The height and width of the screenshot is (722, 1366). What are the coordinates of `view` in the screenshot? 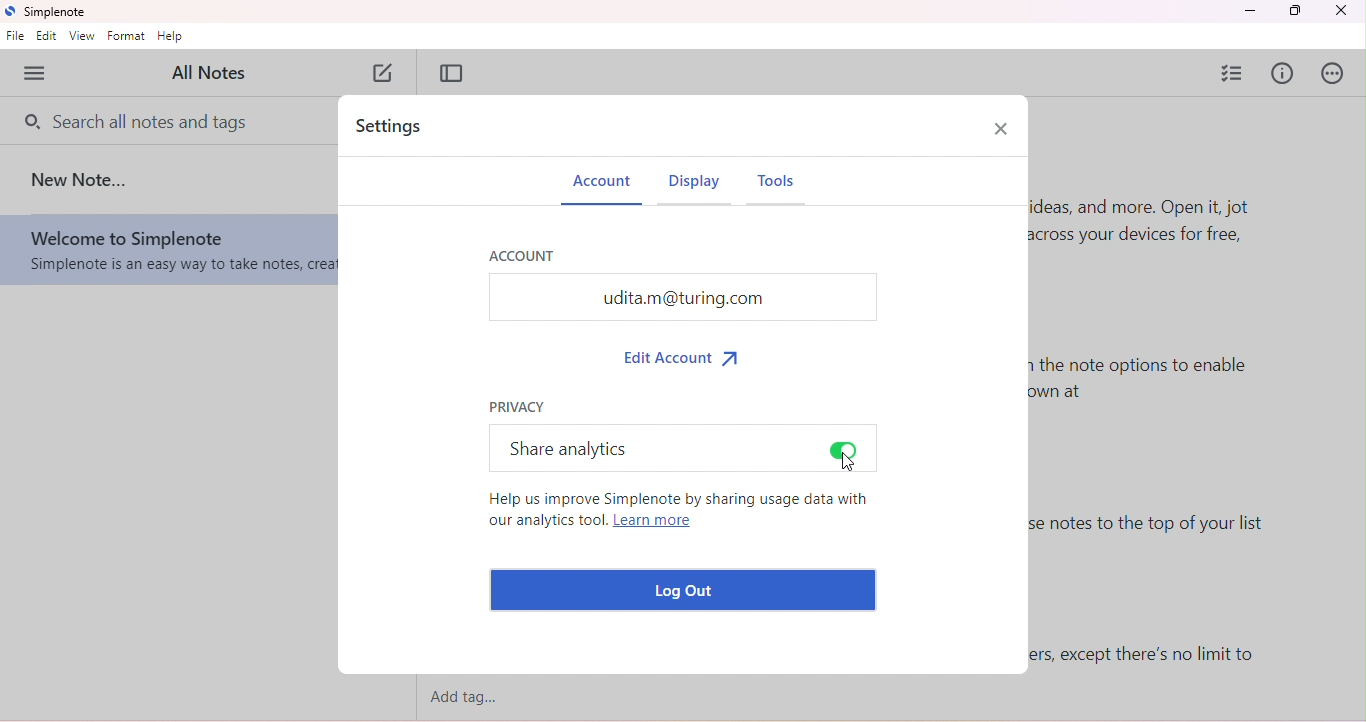 It's located at (83, 36).